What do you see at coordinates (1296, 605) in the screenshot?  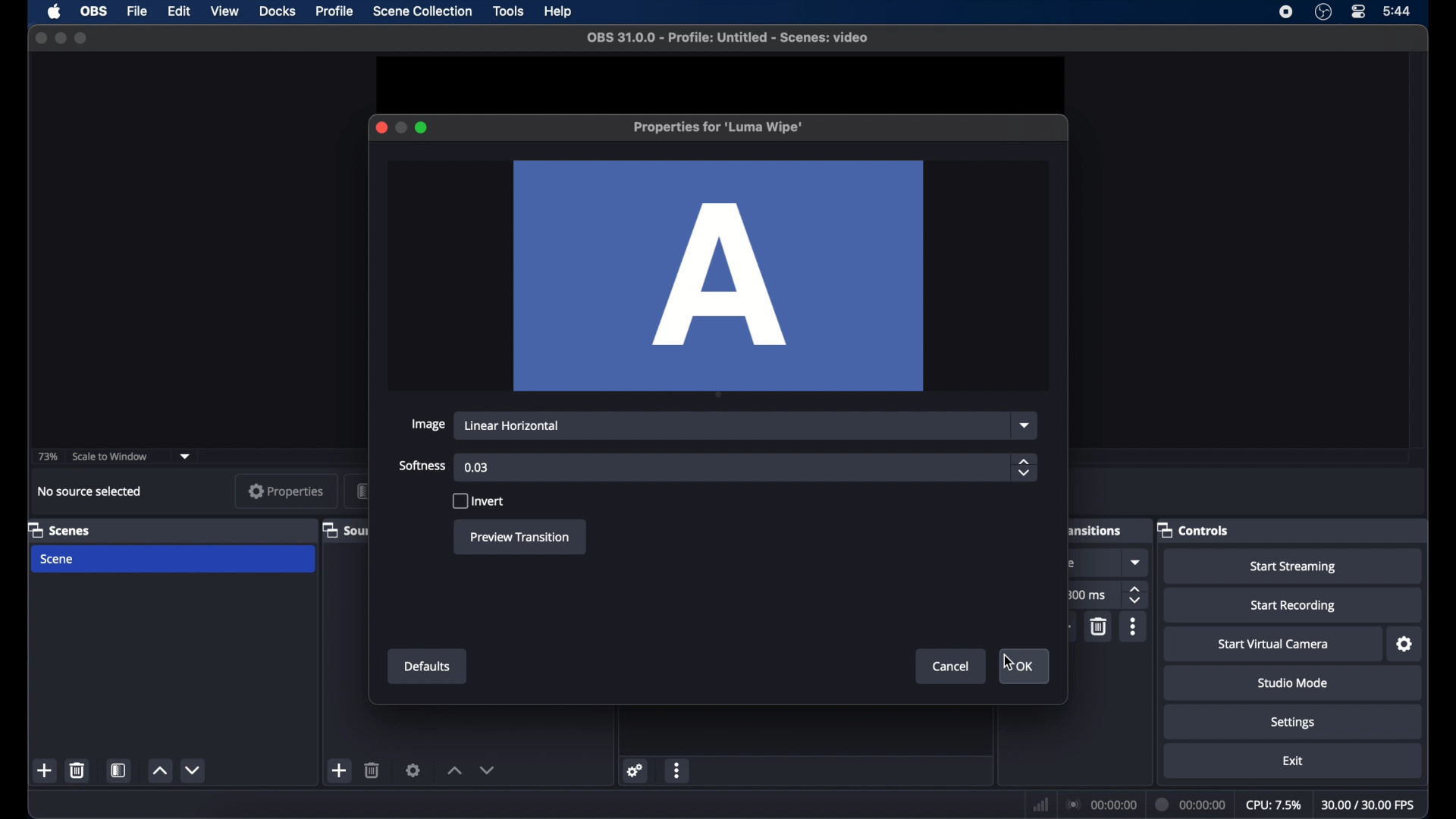 I see `start recording` at bounding box center [1296, 605].